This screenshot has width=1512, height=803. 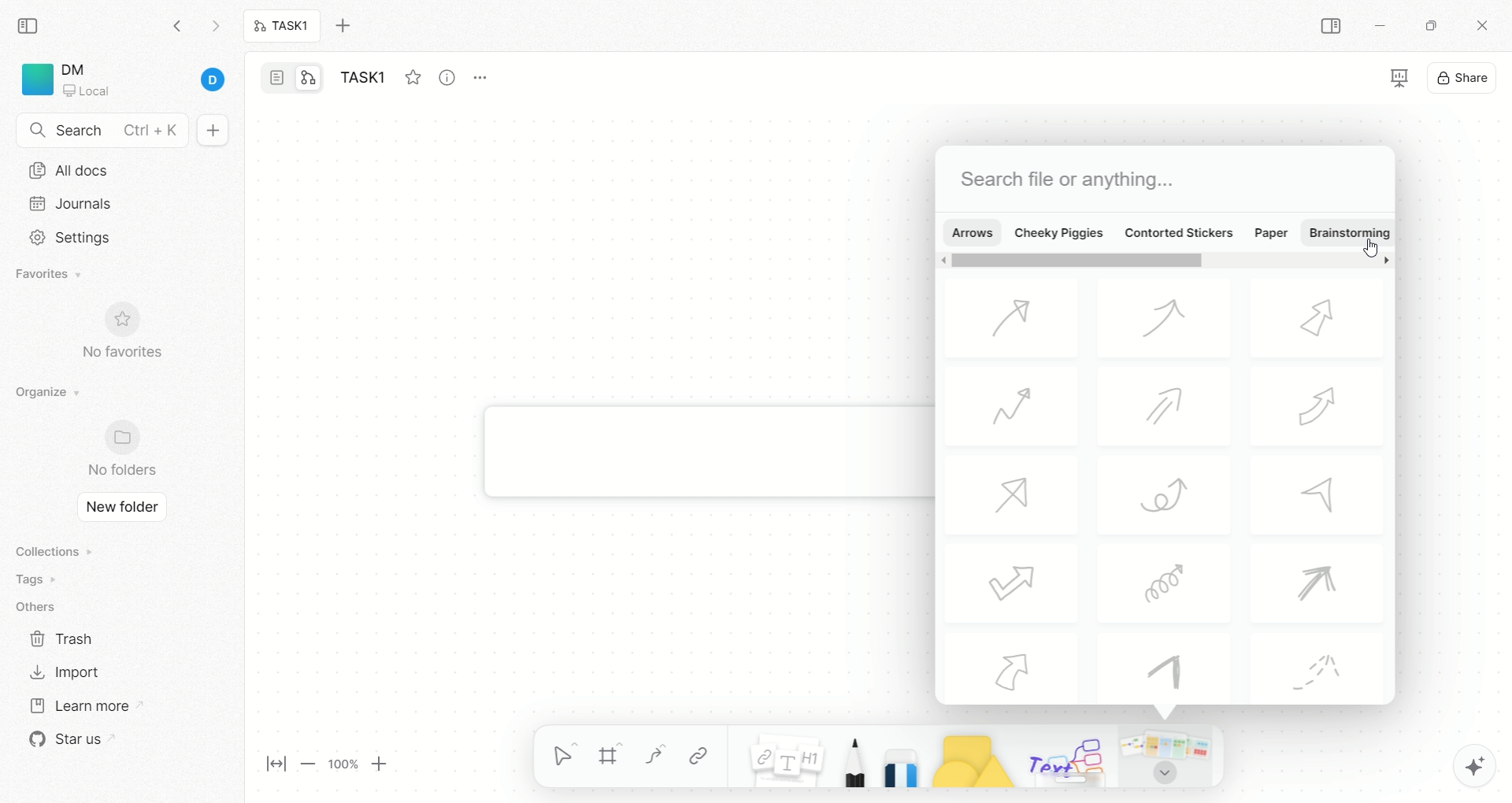 What do you see at coordinates (39, 608) in the screenshot?
I see `others` at bounding box center [39, 608].